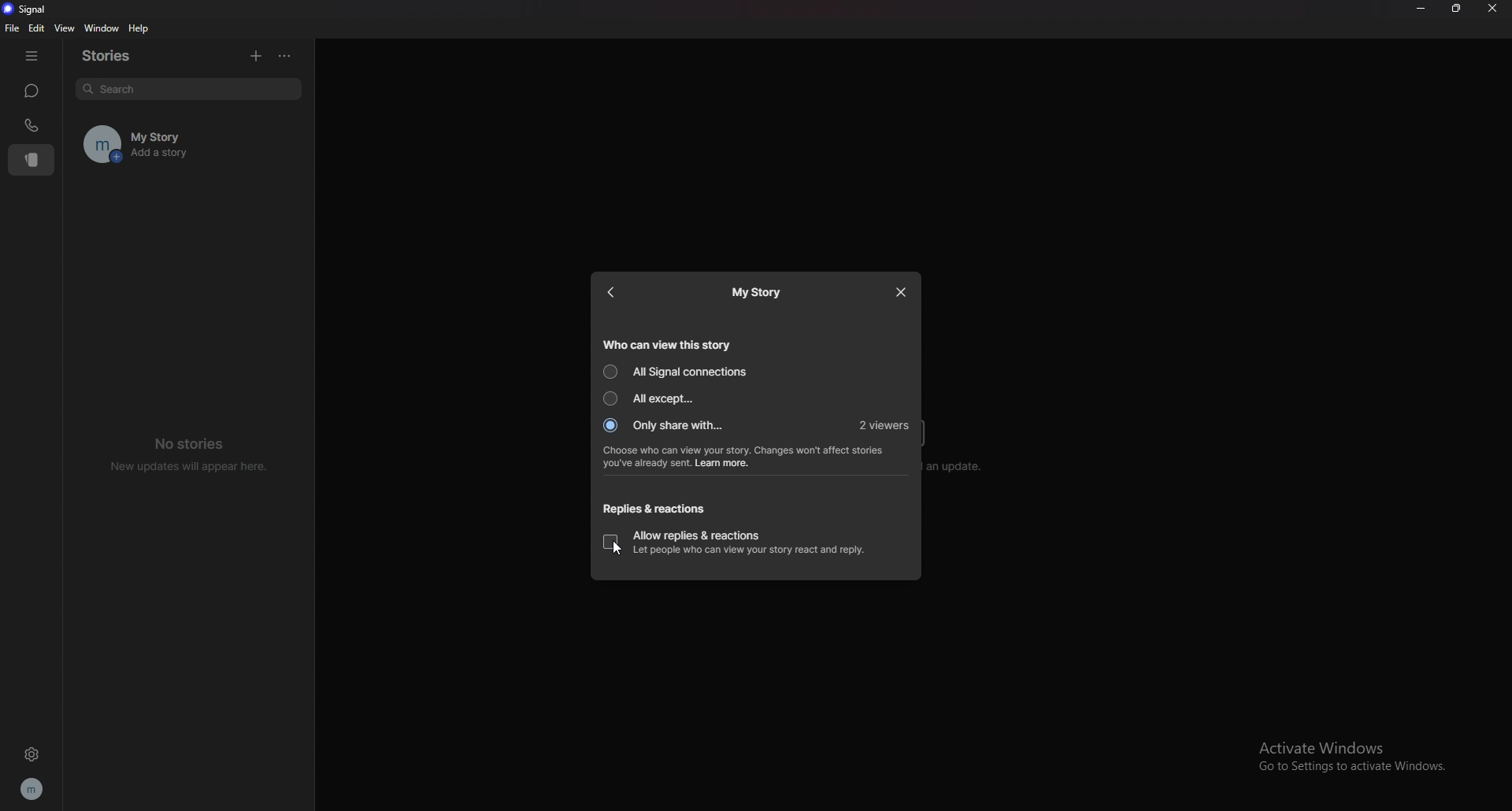 This screenshot has width=1512, height=811. Describe the element at coordinates (698, 532) in the screenshot. I see `Allow replies & reactions.` at that location.